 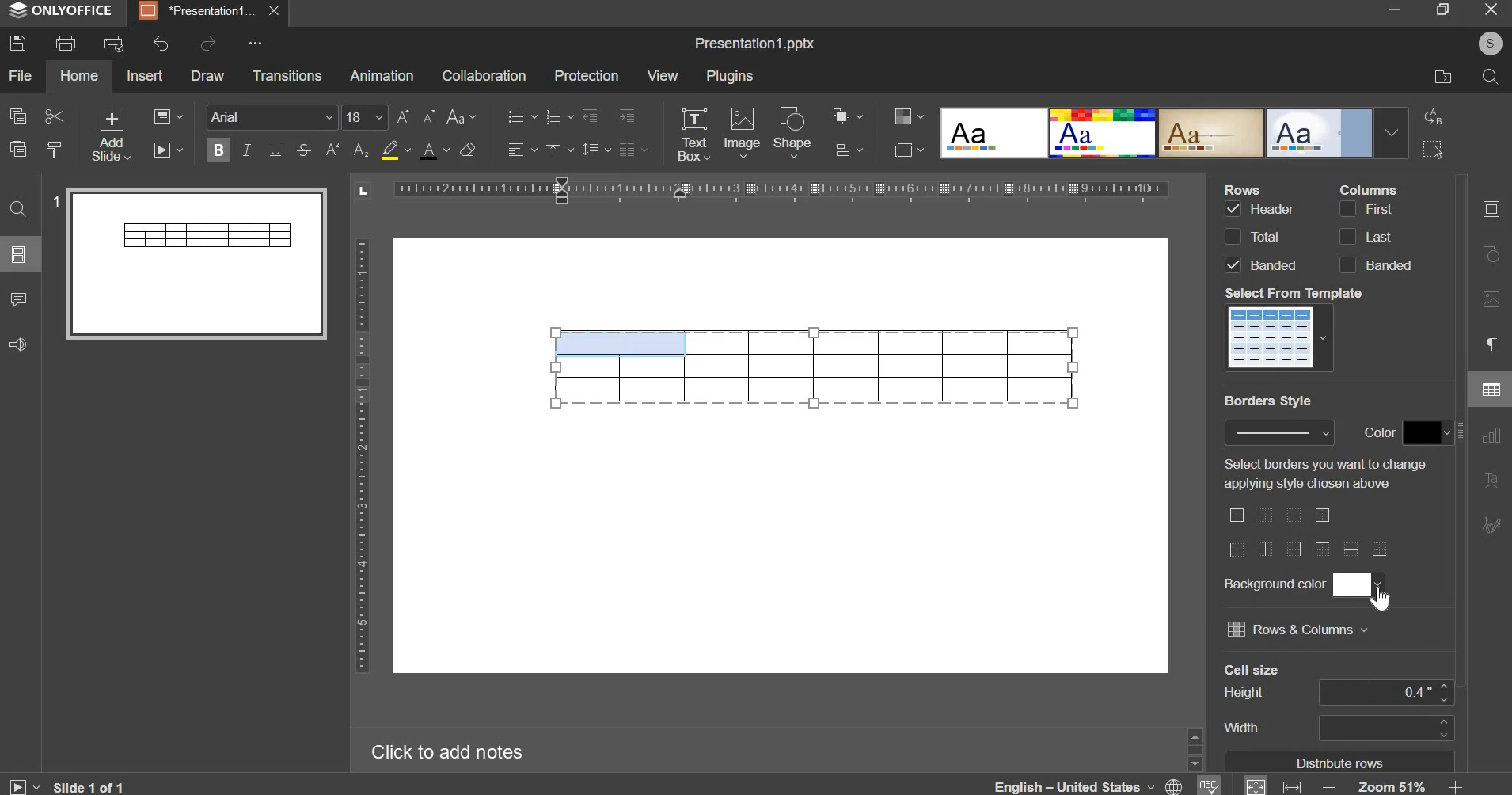 I want to click on Column, so click(x=1368, y=188).